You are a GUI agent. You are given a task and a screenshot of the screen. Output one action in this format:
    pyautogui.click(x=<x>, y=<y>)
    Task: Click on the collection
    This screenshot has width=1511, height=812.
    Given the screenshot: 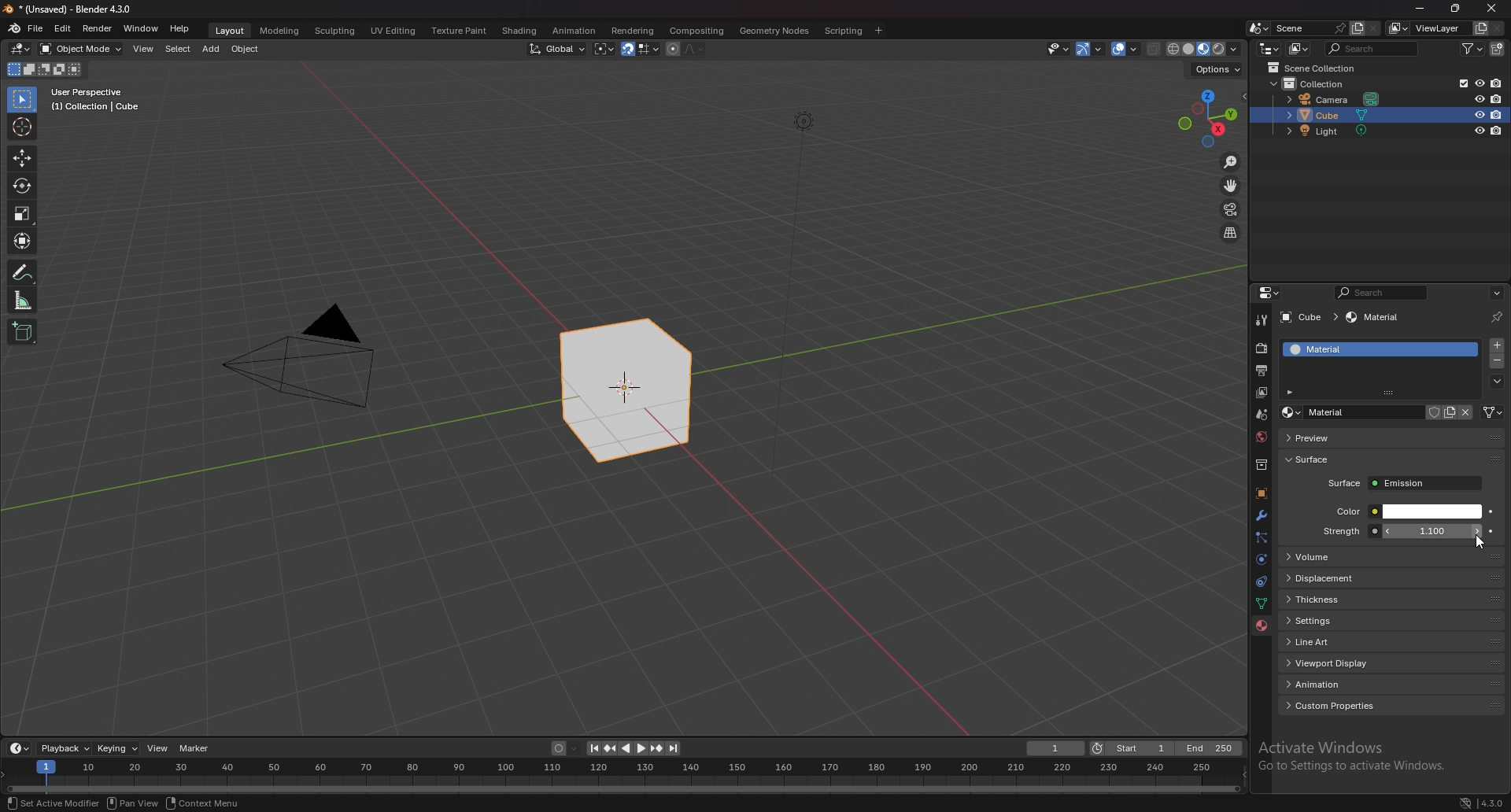 What is the action you would take?
    pyautogui.click(x=1324, y=83)
    